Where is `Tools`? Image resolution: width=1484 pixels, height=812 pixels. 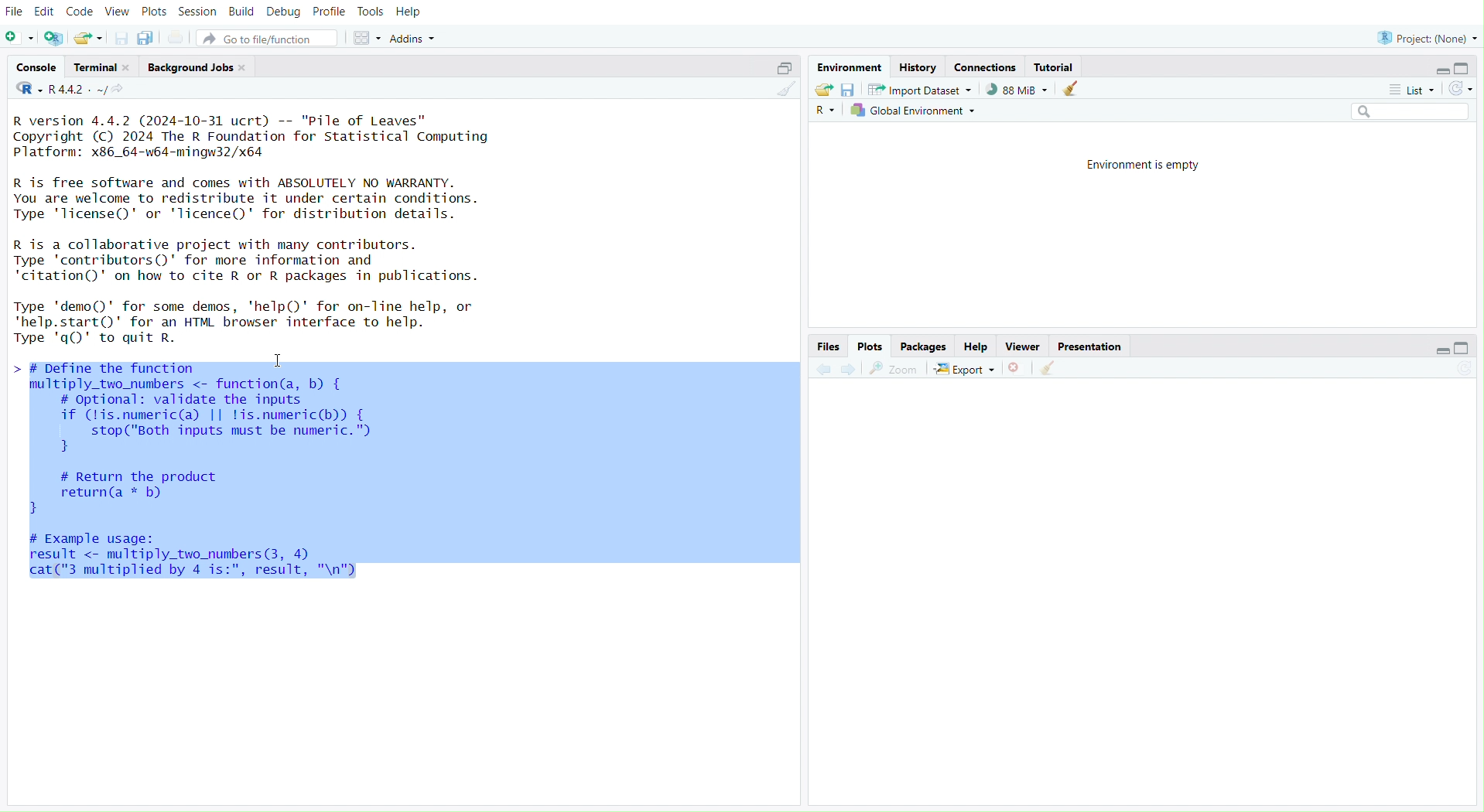
Tools is located at coordinates (367, 11).